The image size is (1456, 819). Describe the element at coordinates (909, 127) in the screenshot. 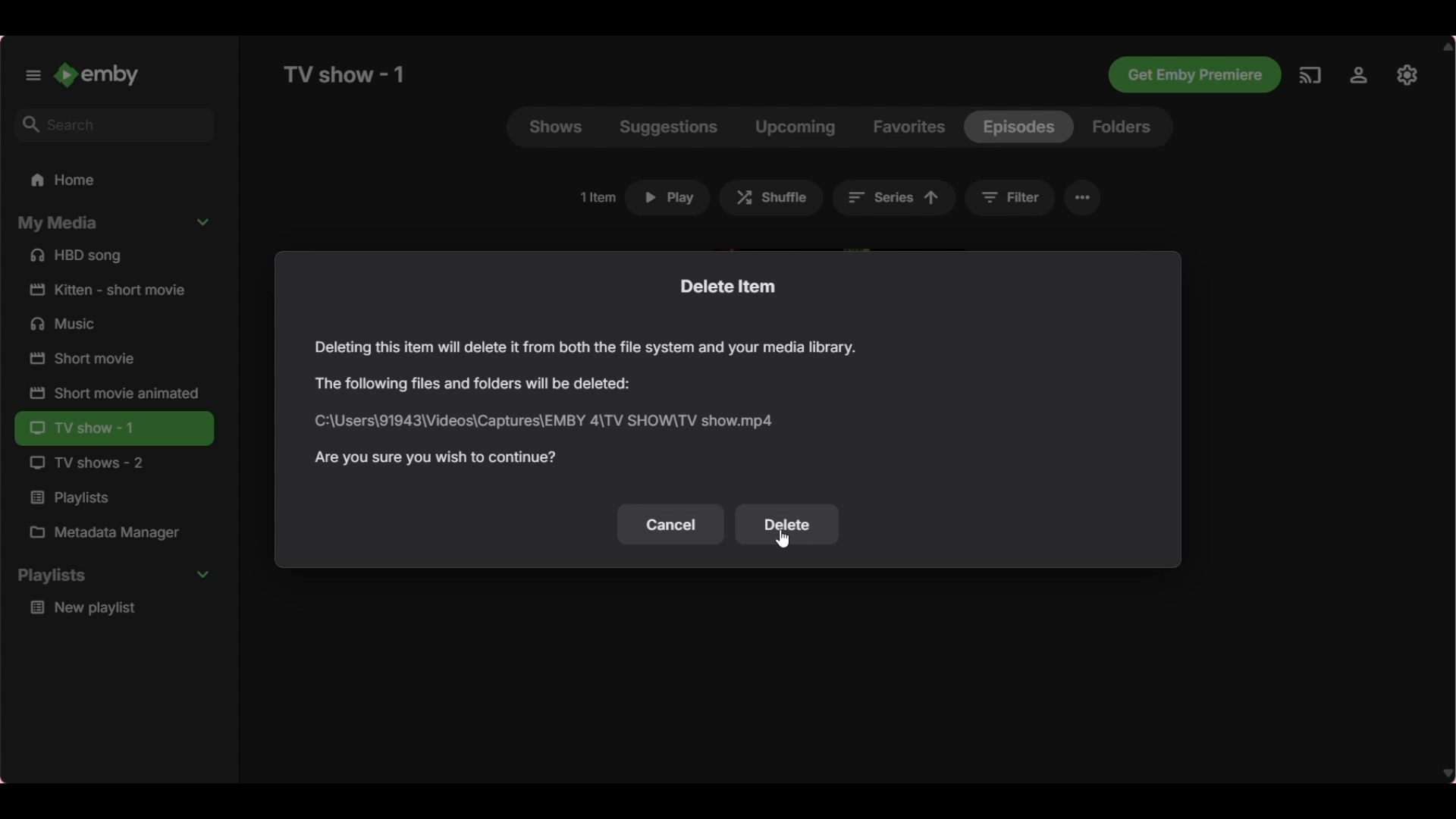

I see `Favorites` at that location.